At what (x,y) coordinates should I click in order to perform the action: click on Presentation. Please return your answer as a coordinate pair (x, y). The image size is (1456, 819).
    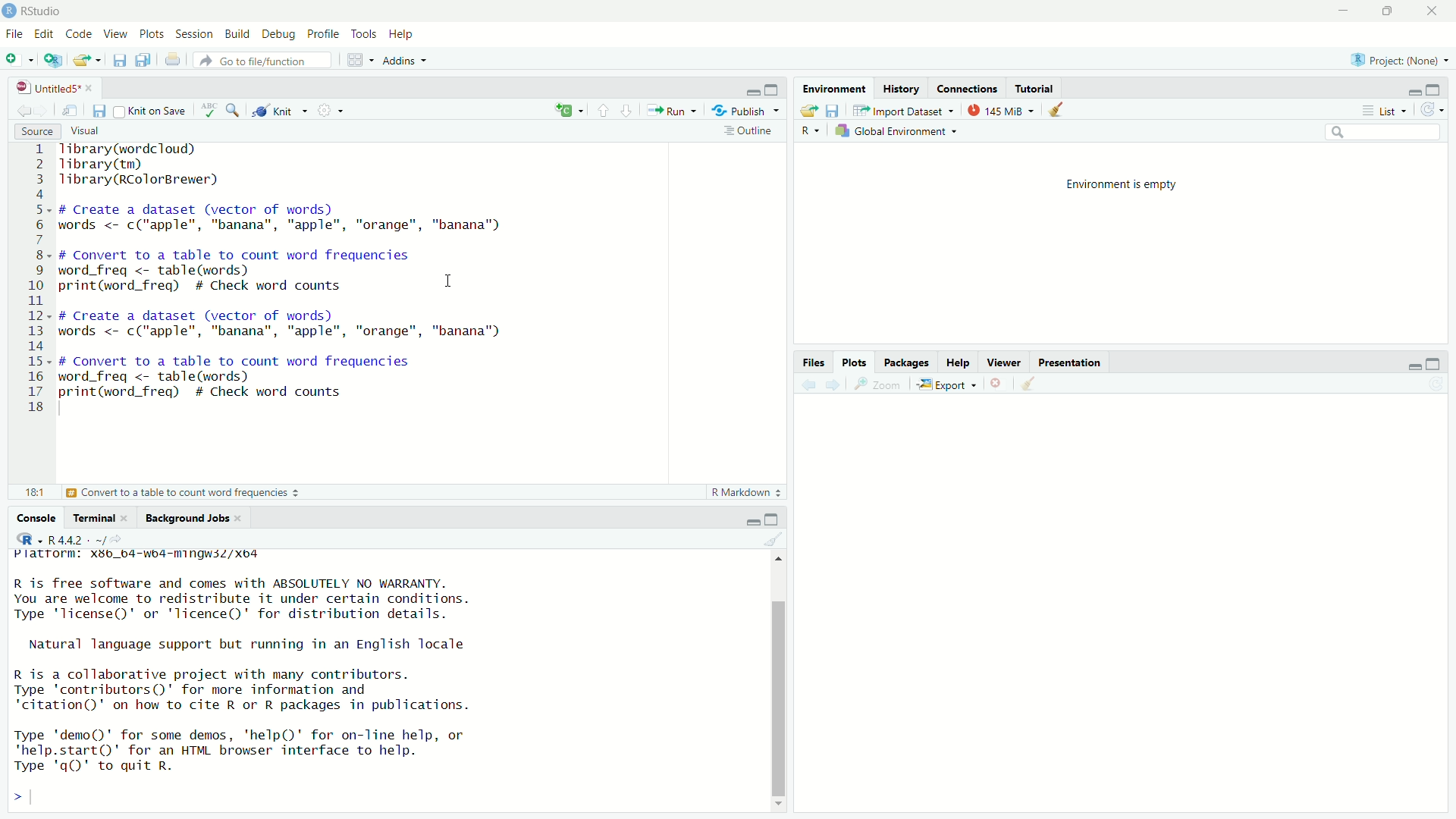
    Looking at the image, I should click on (1069, 361).